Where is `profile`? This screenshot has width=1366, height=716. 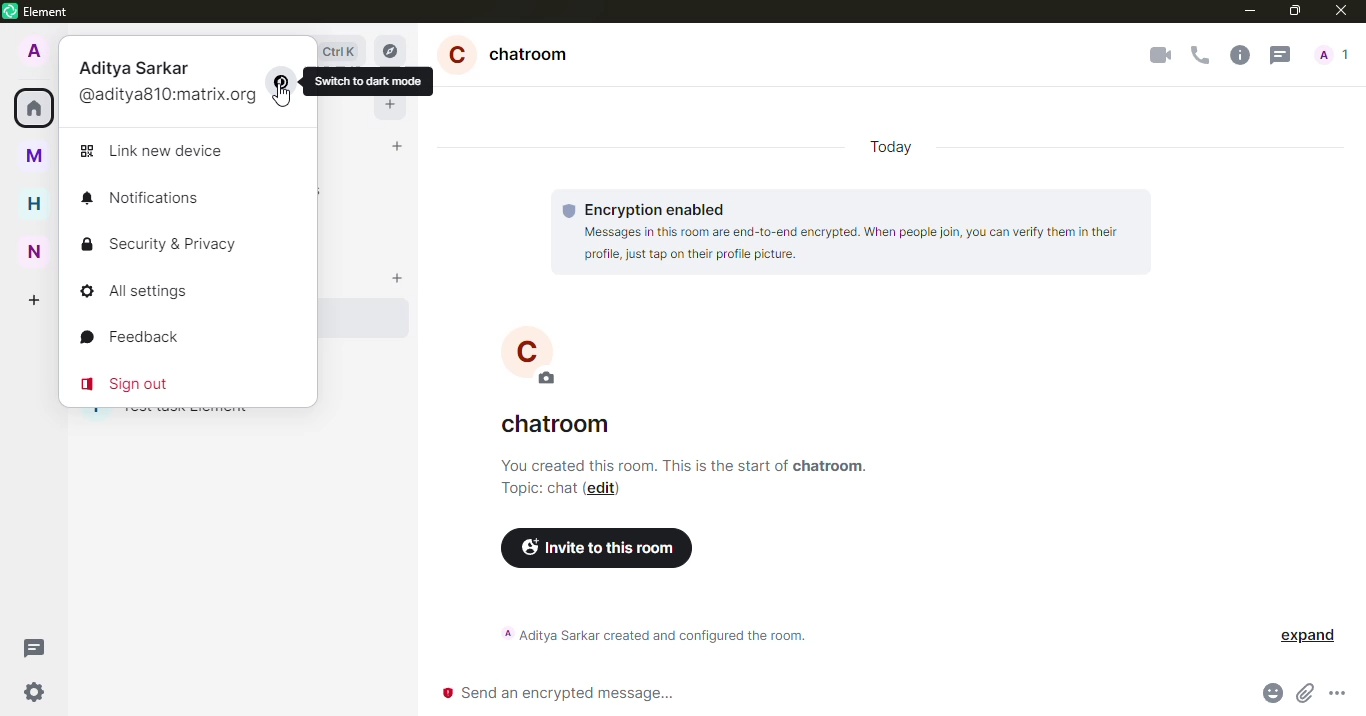
profile is located at coordinates (36, 49).